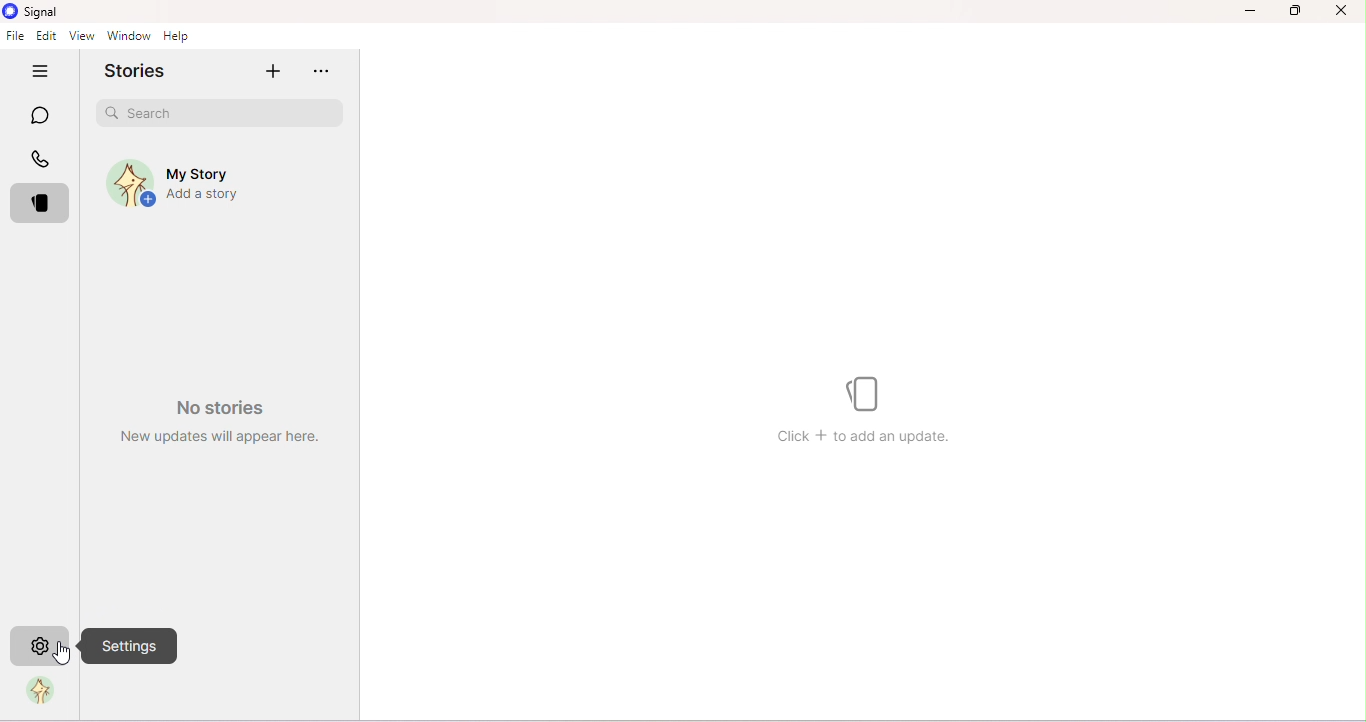 The image size is (1366, 722). What do you see at coordinates (130, 647) in the screenshot?
I see `Settings` at bounding box center [130, 647].